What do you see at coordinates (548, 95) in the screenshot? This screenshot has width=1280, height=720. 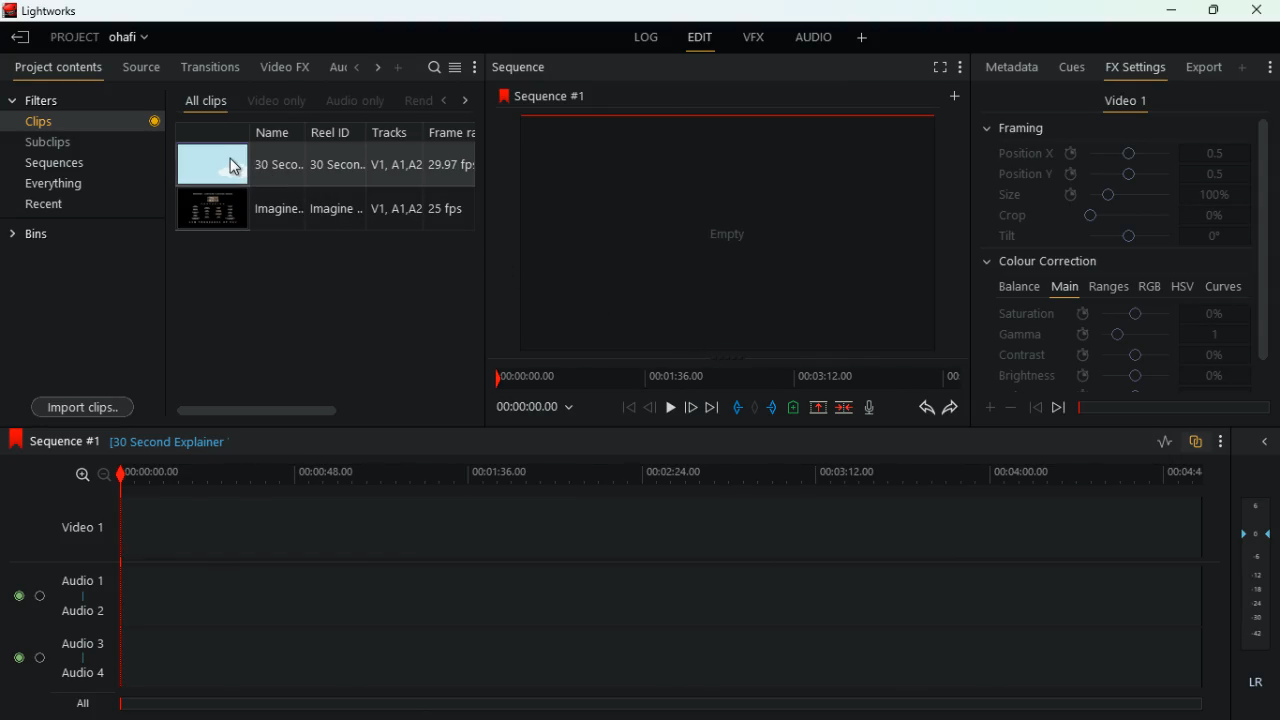 I see `sequence` at bounding box center [548, 95].